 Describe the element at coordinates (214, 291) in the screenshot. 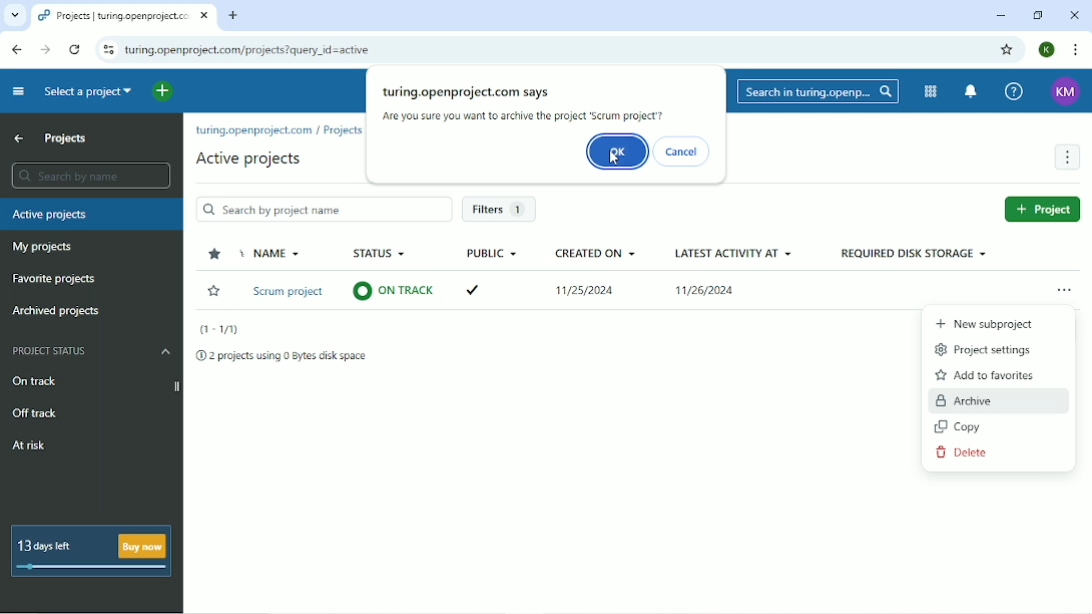

I see `Favorite` at that location.